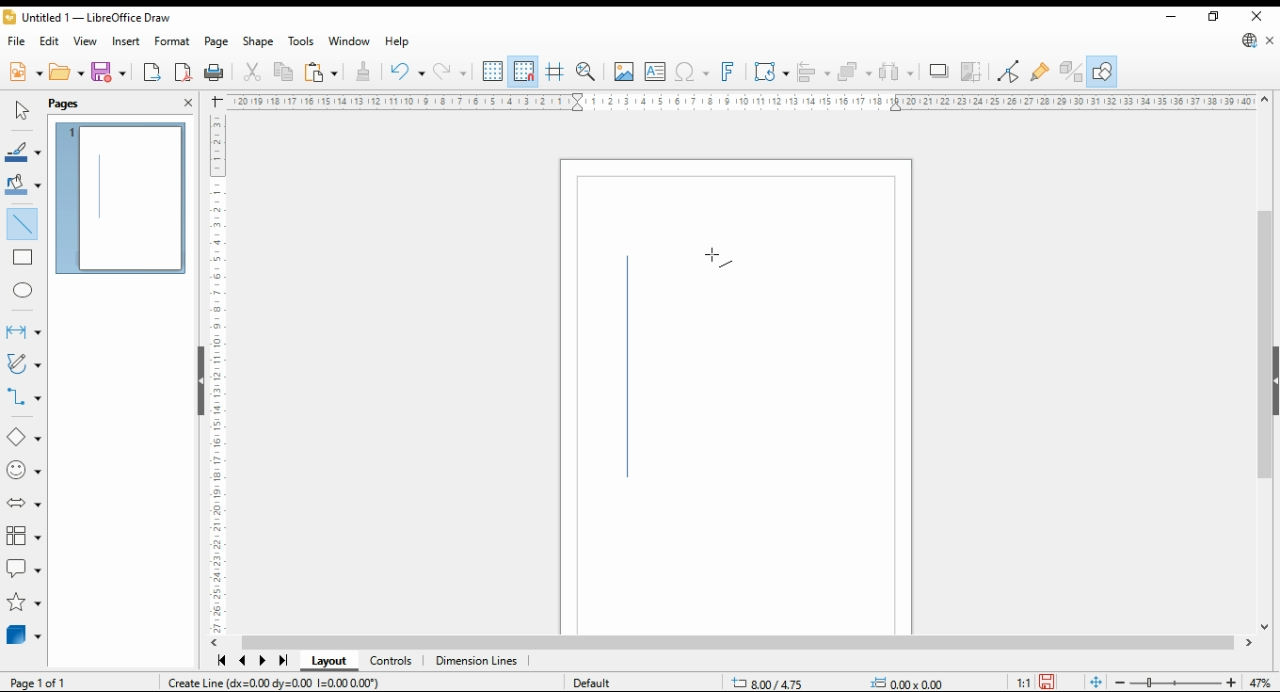 The width and height of the screenshot is (1280, 692). I want to click on snap to grid, so click(523, 71).